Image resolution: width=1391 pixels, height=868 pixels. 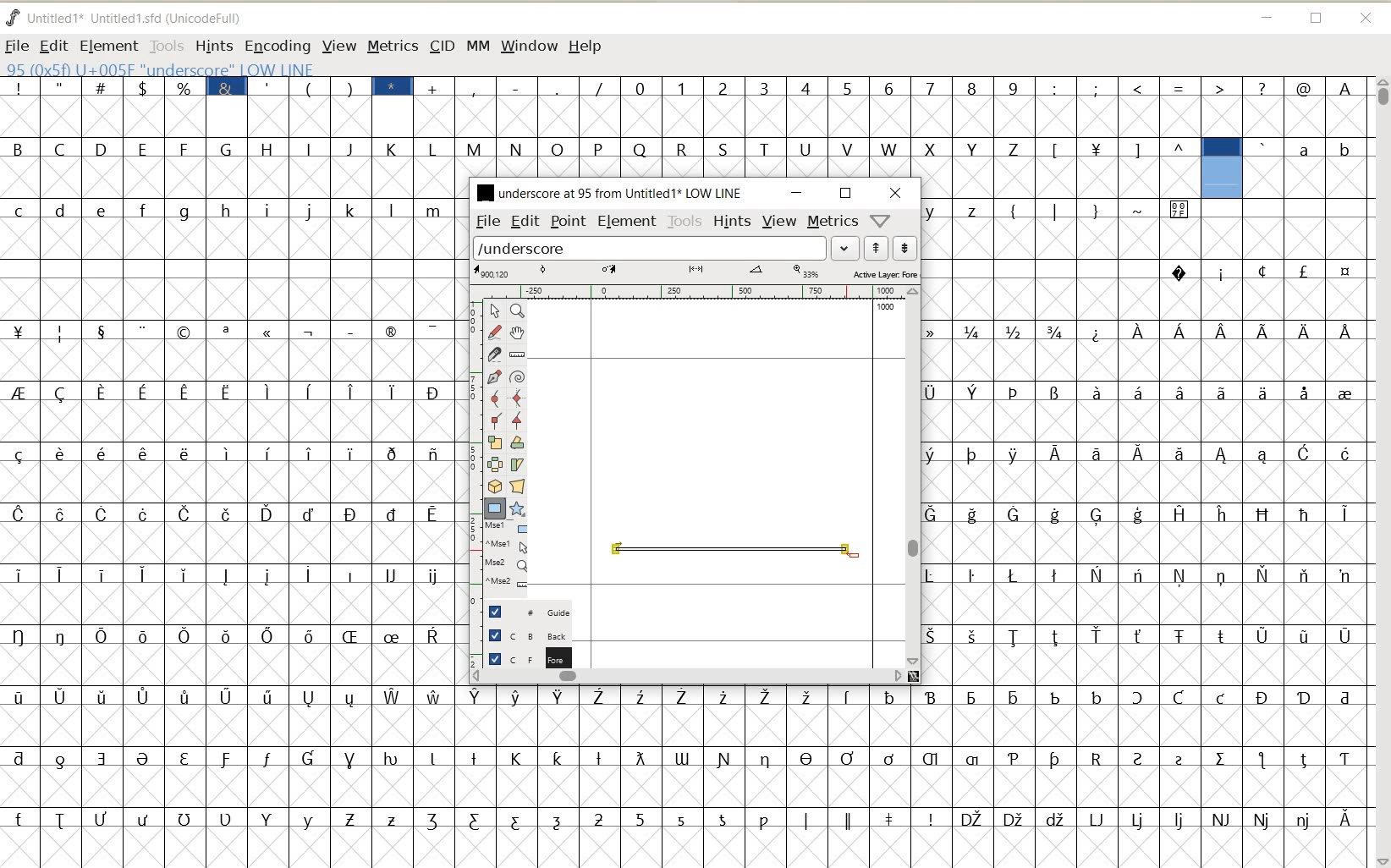 I want to click on VIEW, so click(x=336, y=45).